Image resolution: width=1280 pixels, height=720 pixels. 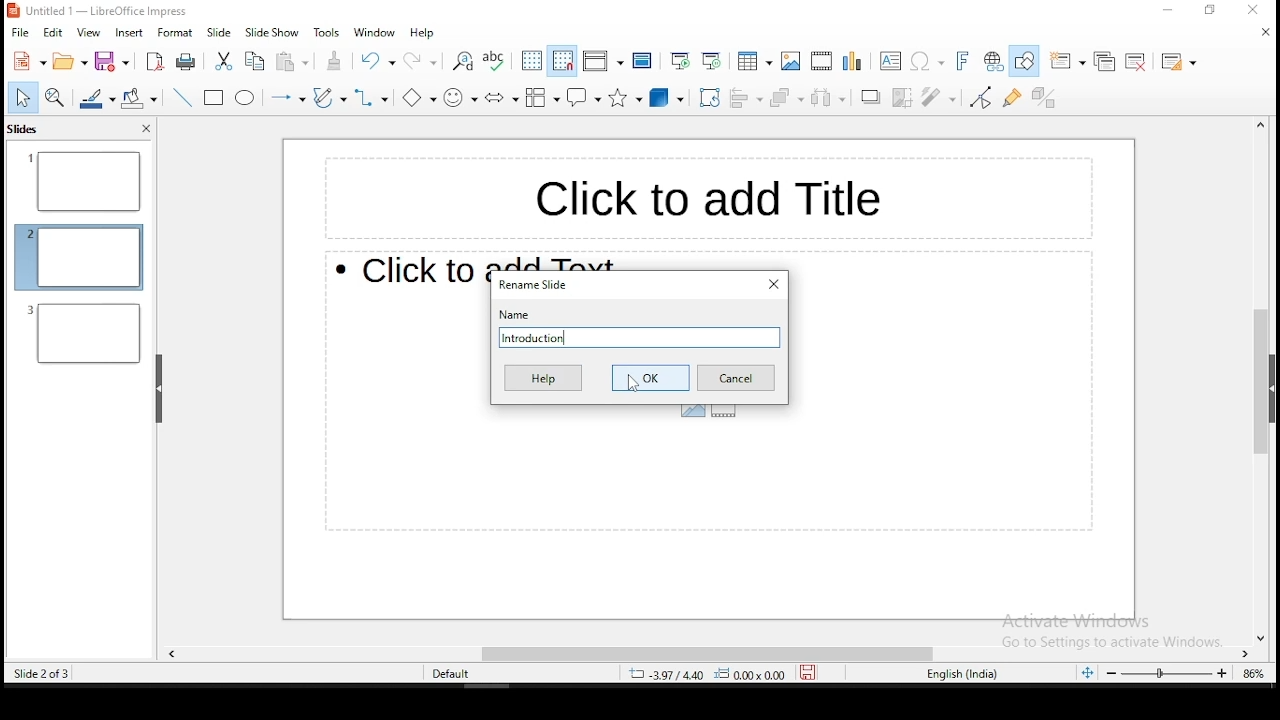 I want to click on crop image, so click(x=904, y=97).